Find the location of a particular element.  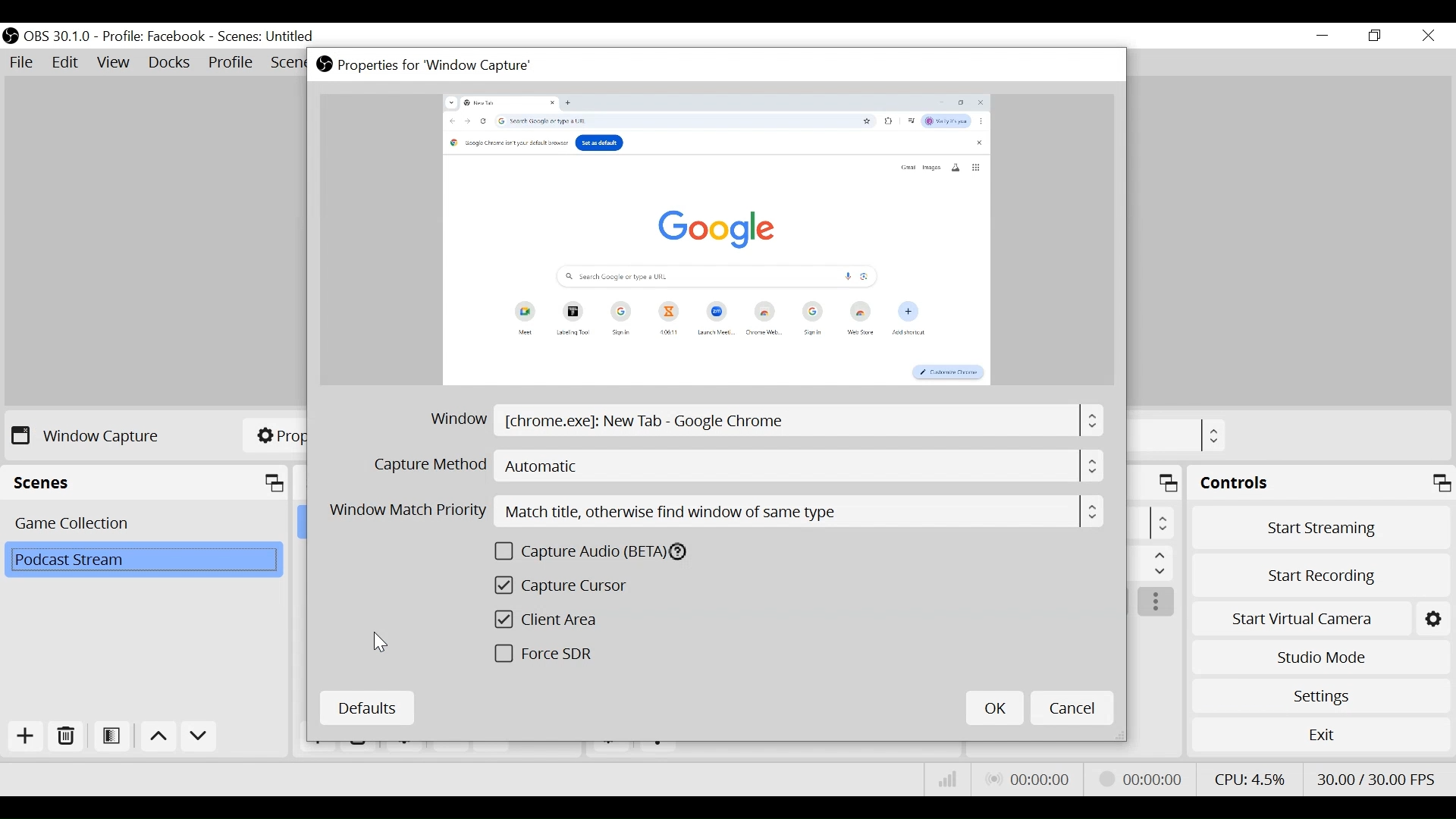

Docks is located at coordinates (169, 63).